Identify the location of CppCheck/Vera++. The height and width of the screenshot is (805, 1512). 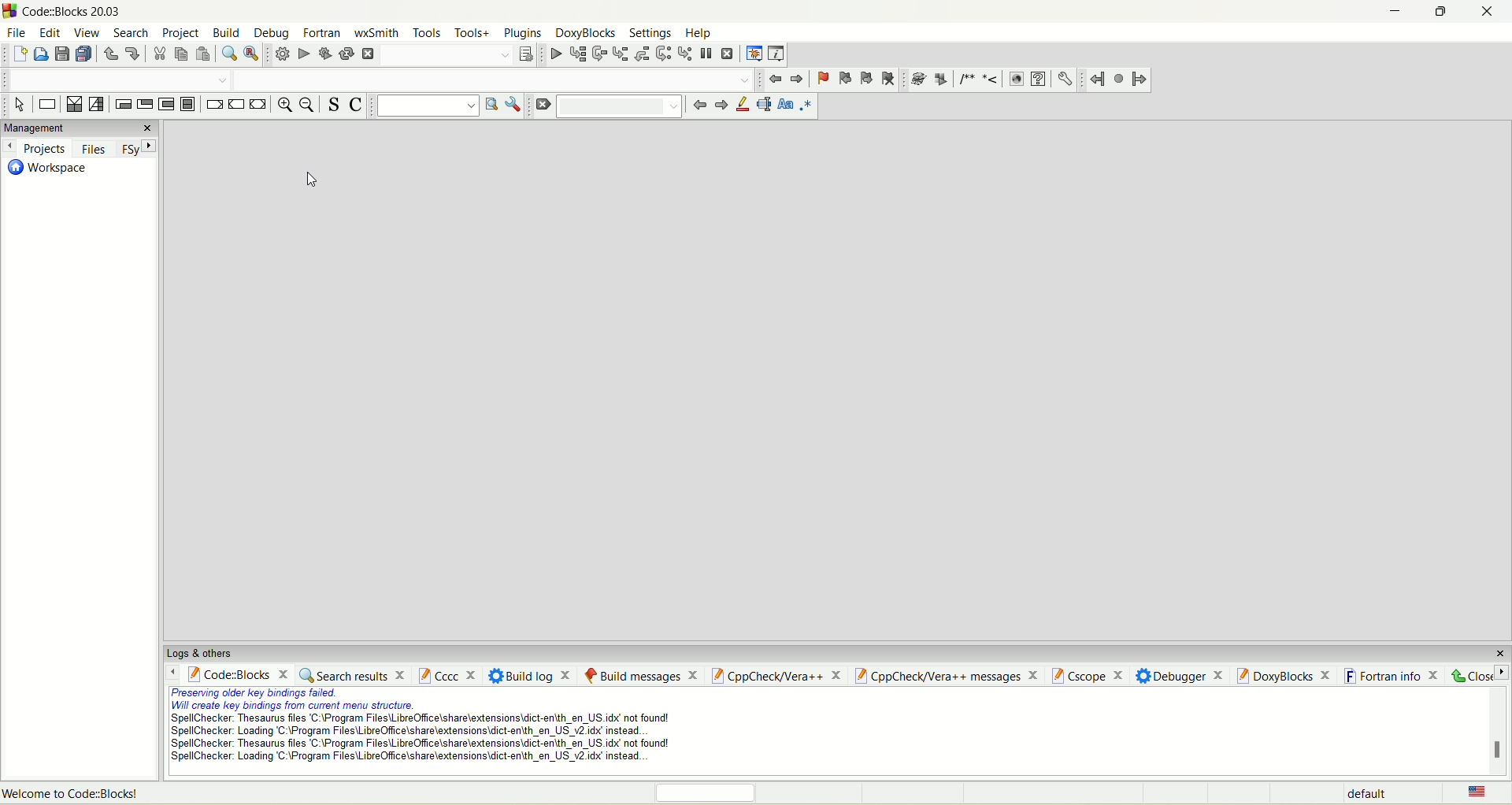
(775, 677).